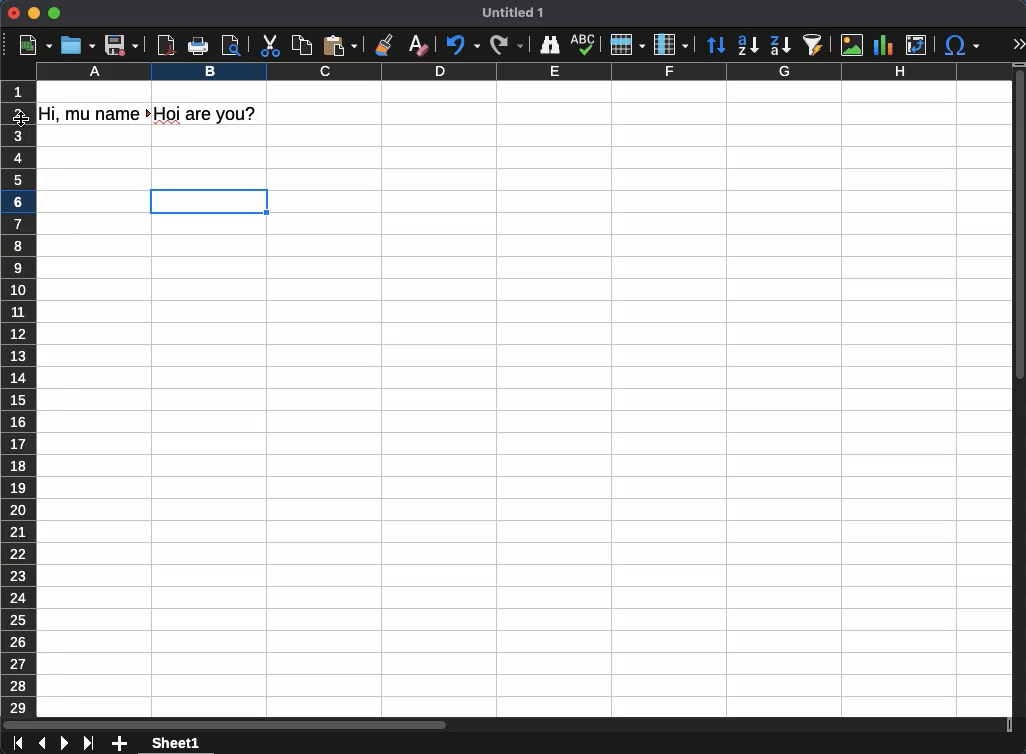  I want to click on open, so click(76, 45).